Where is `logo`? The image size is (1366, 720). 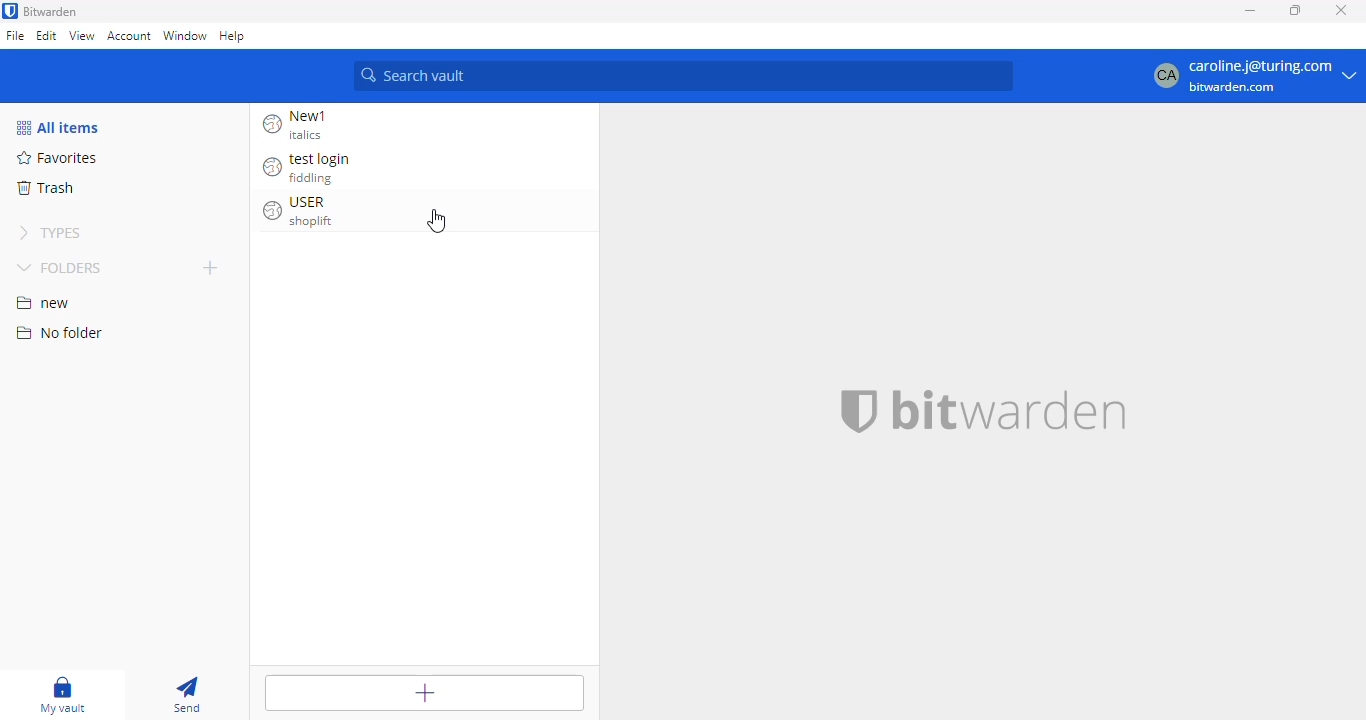 logo is located at coordinates (10, 11).